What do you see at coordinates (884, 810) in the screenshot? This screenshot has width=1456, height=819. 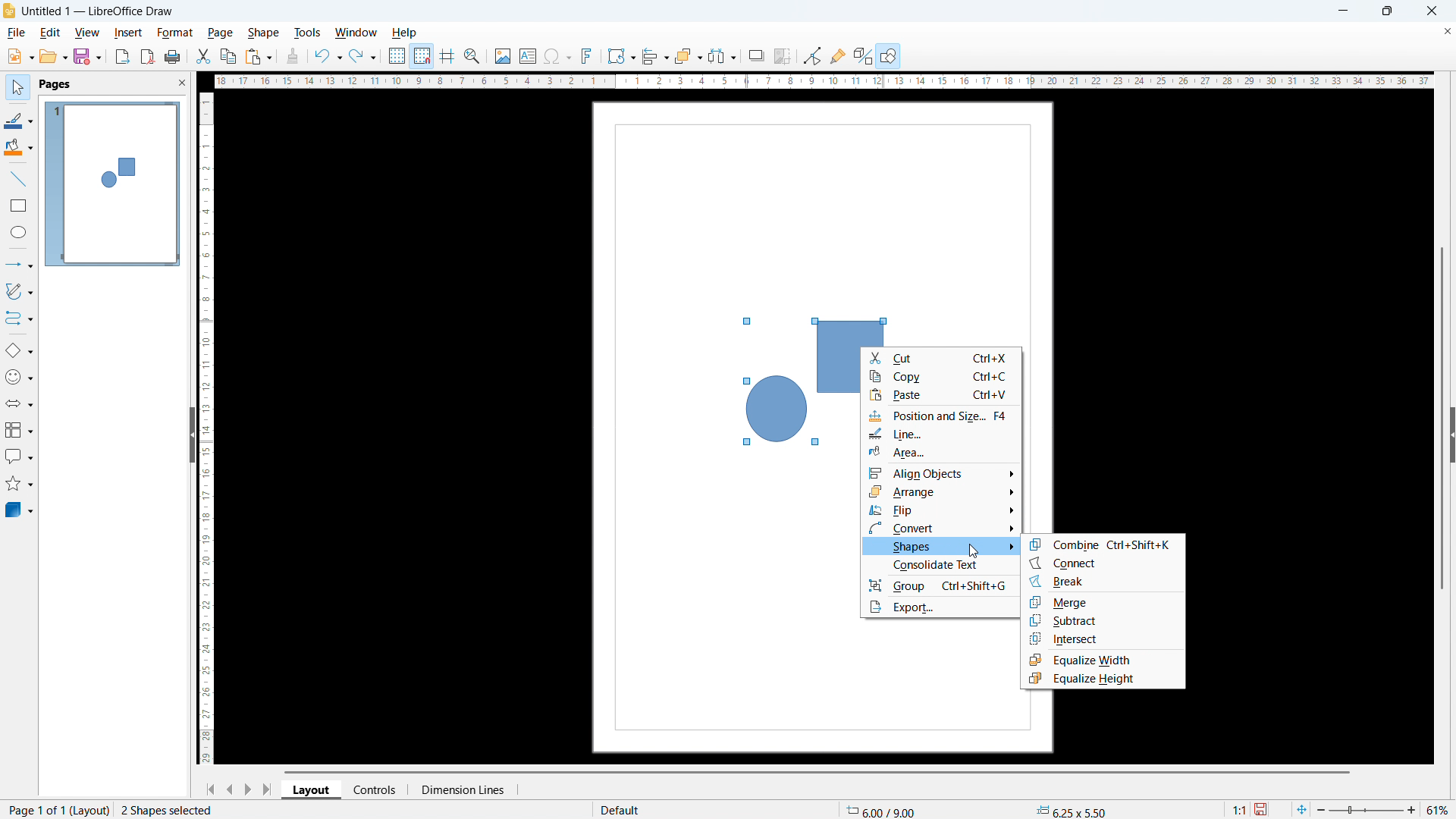 I see `cursor coordinate` at bounding box center [884, 810].